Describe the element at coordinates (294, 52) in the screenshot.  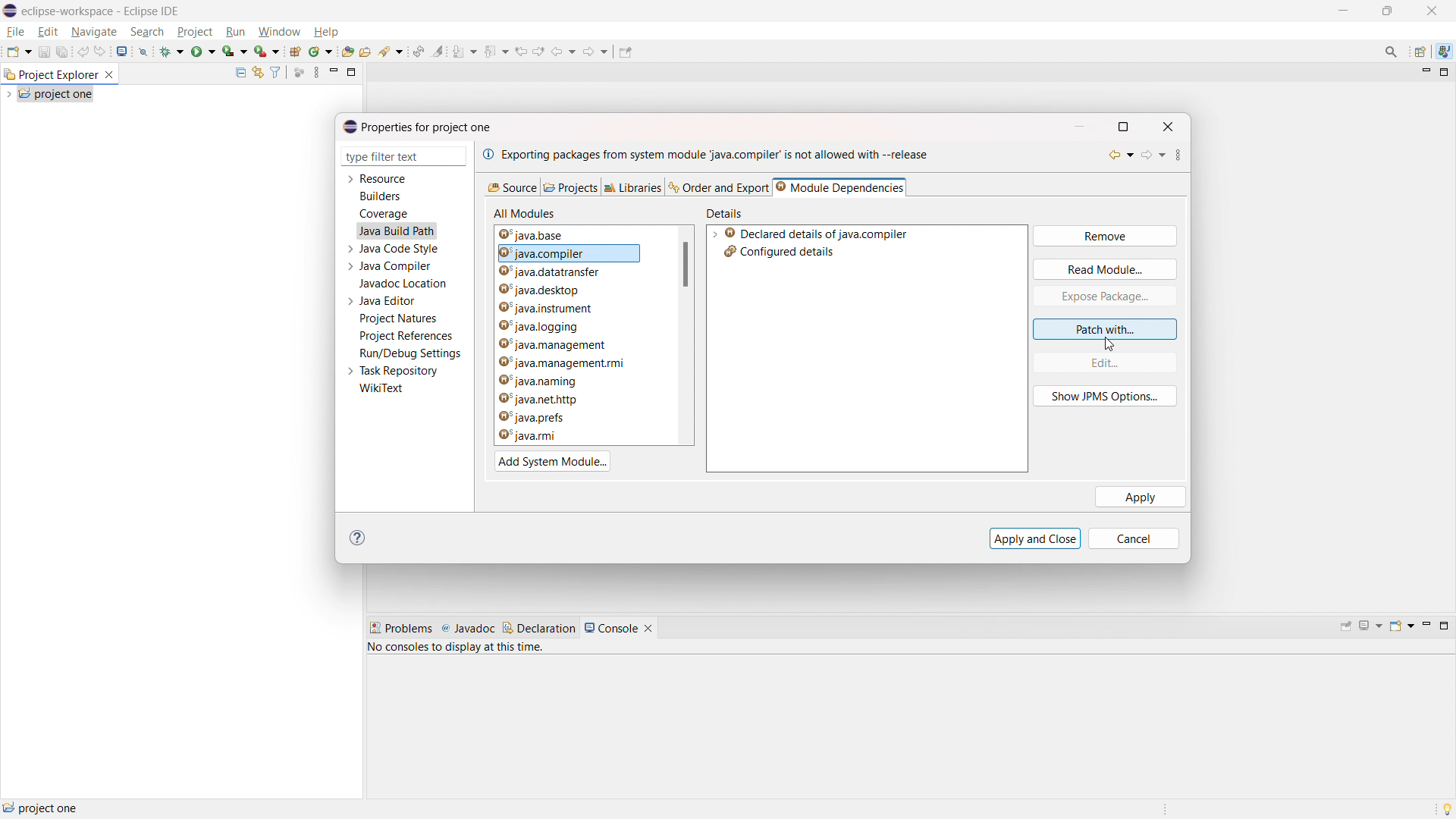
I see `new java project` at that location.